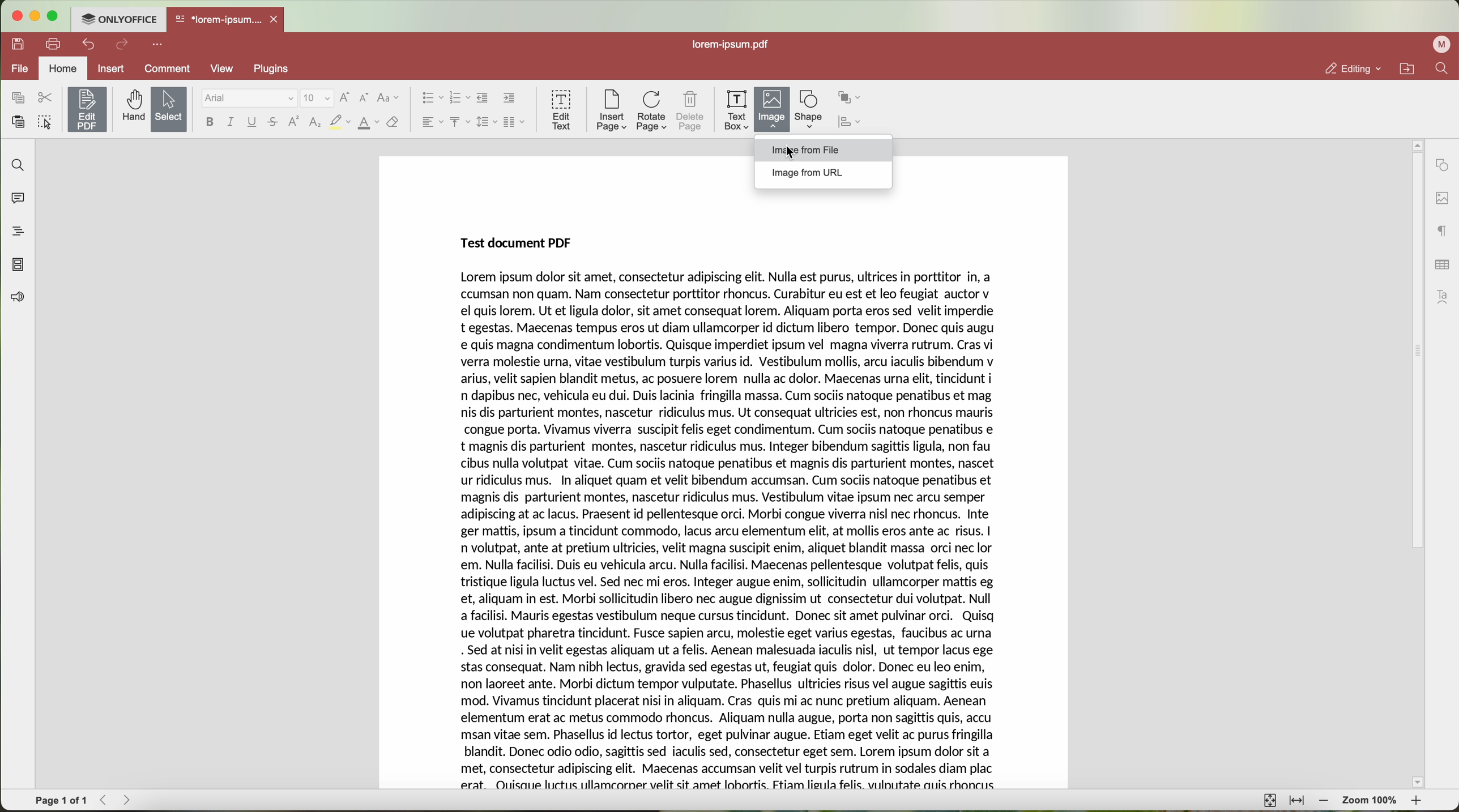 The width and height of the screenshot is (1459, 812). I want to click on lorem-ipsum.pdf, so click(735, 44).